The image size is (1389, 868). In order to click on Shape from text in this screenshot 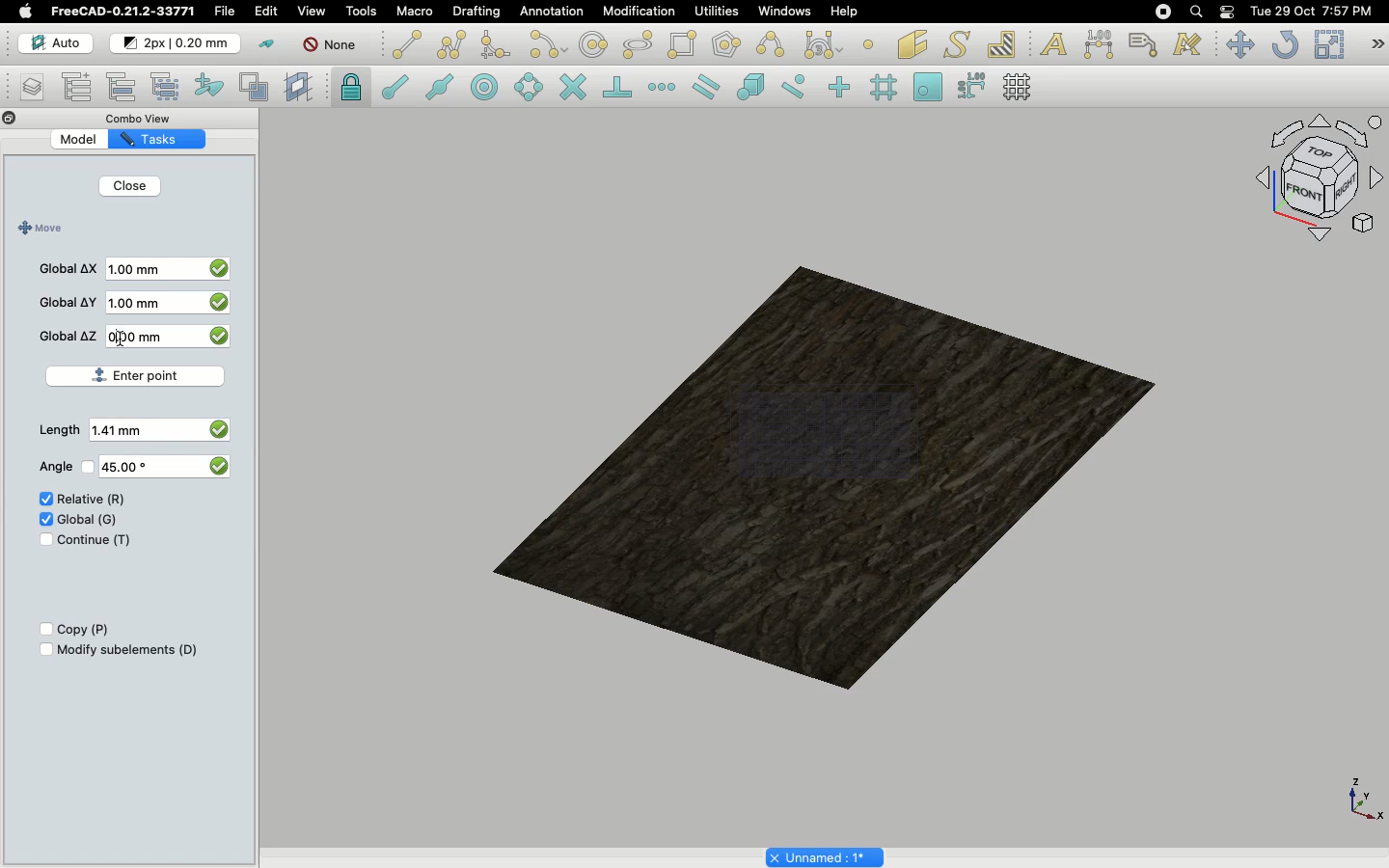, I will do `click(960, 46)`.